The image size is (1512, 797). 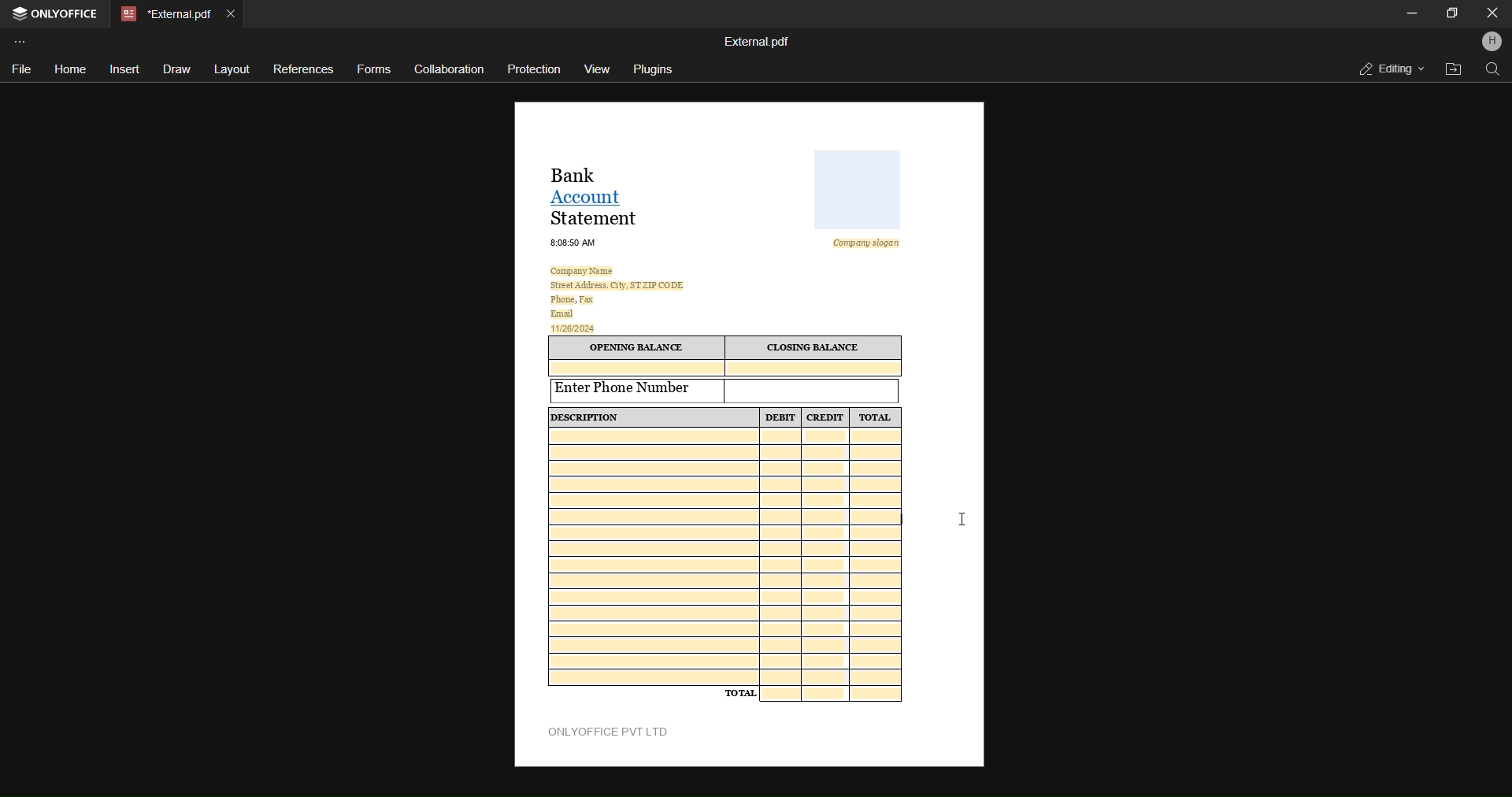 I want to click on TOTAL, so click(x=876, y=417).